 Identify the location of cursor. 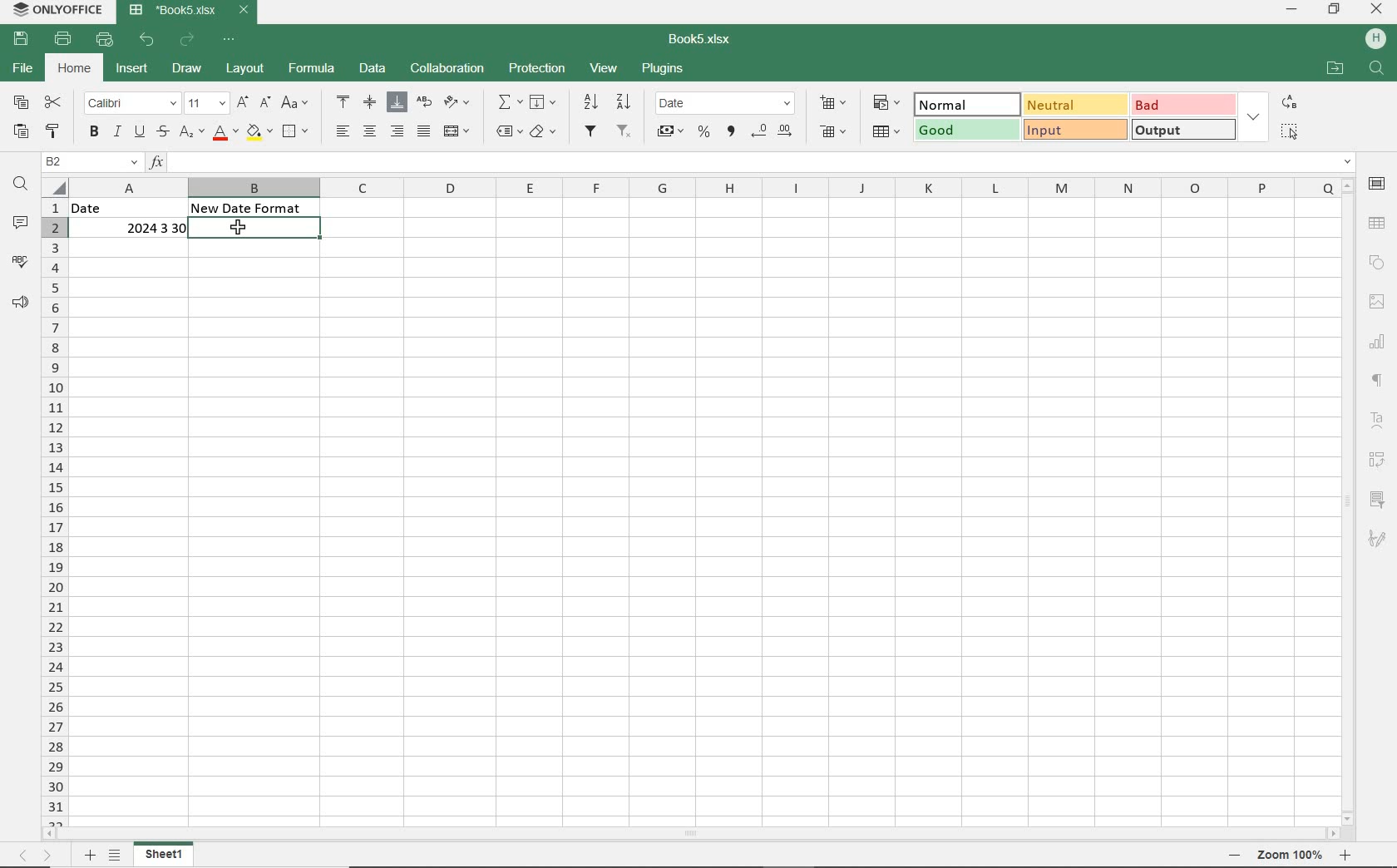
(236, 229).